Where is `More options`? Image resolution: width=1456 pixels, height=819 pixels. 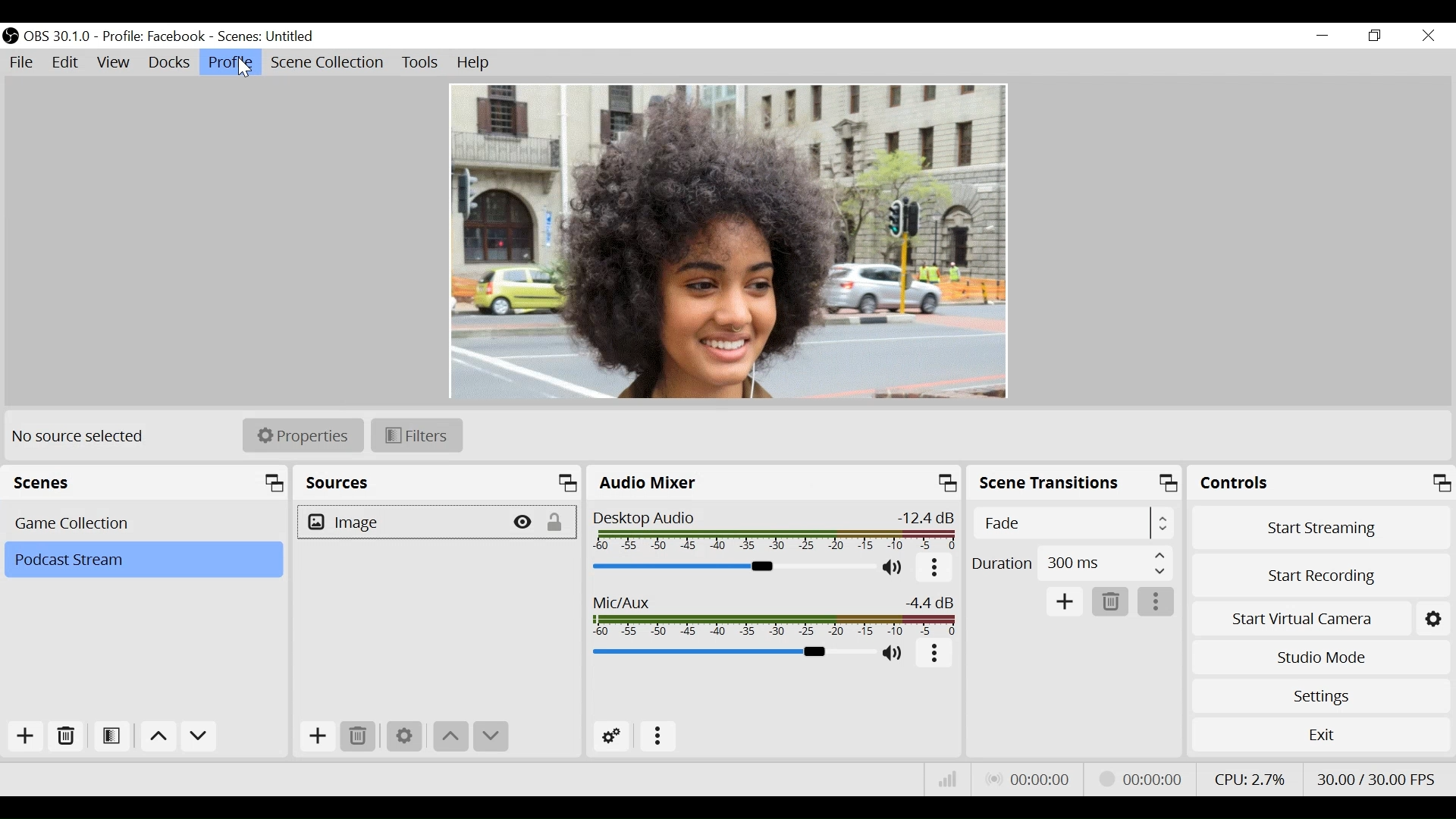
More options is located at coordinates (1156, 601).